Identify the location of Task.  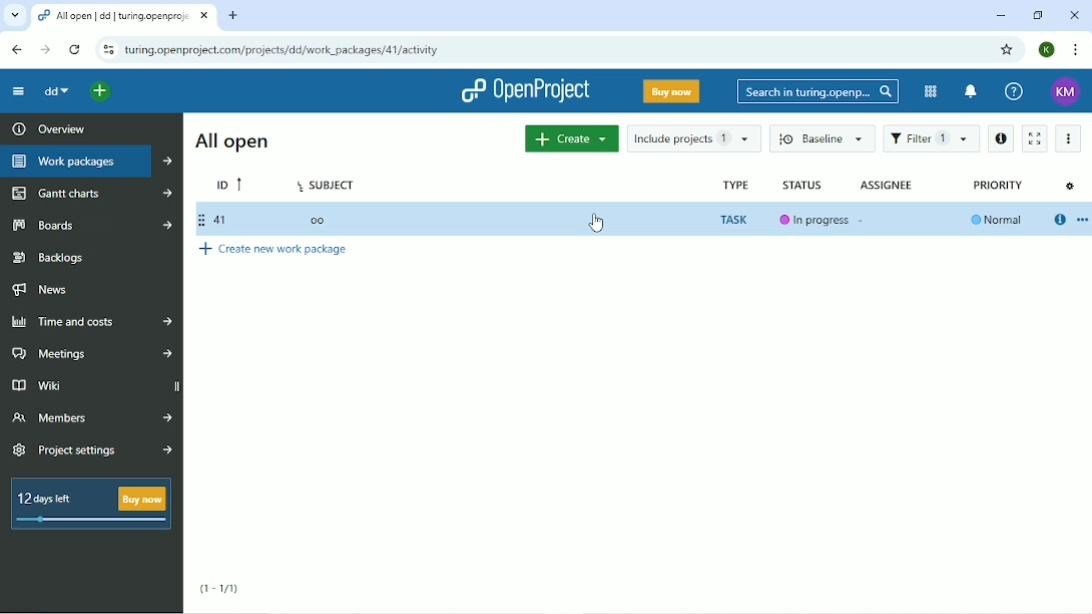
(735, 220).